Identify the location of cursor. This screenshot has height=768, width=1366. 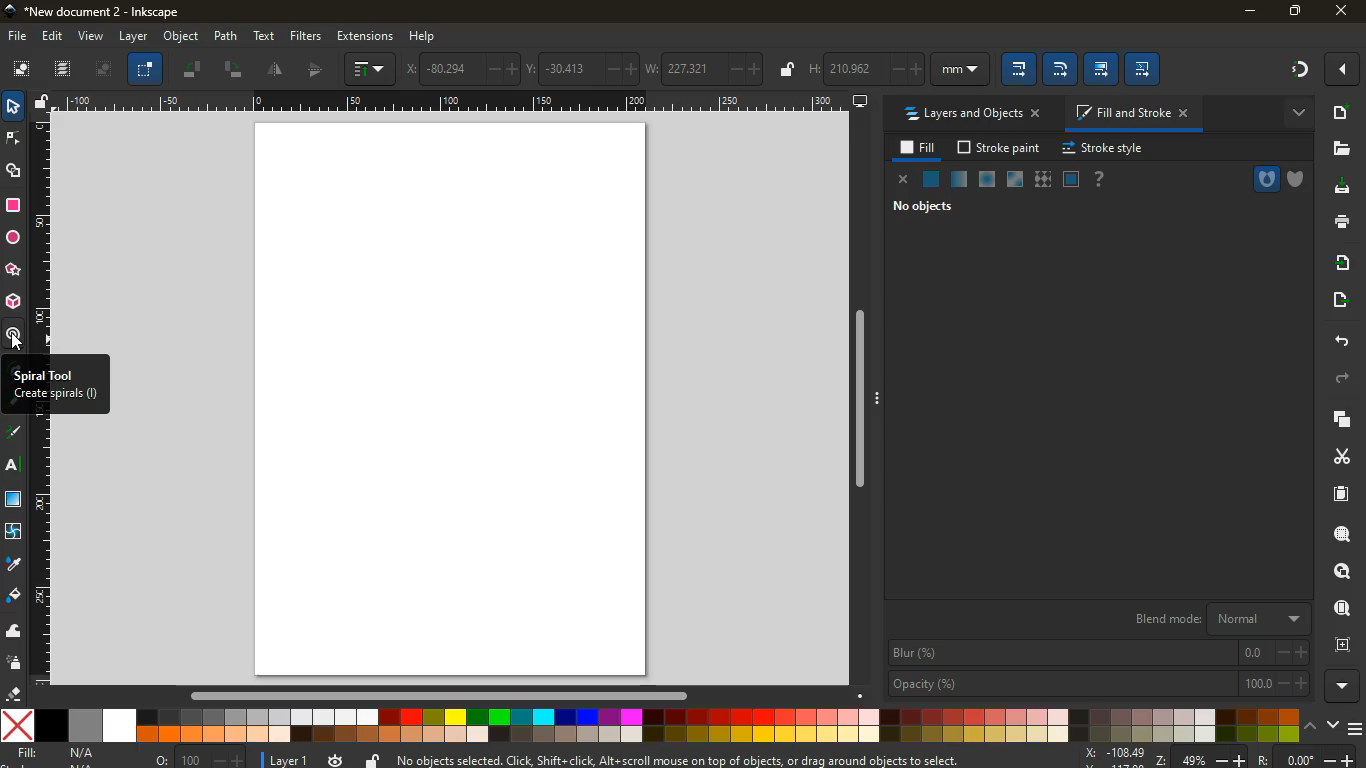
(20, 343).